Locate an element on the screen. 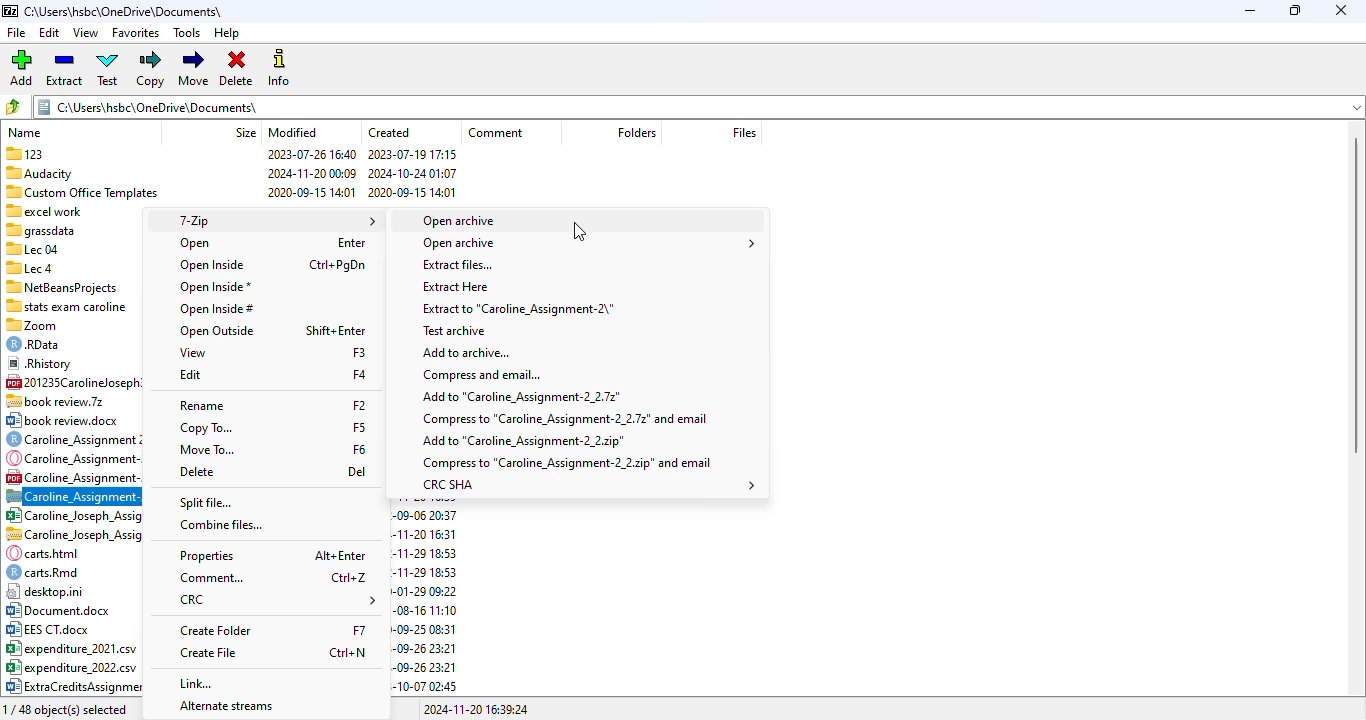 The width and height of the screenshot is (1366, 720). shortcut for open is located at coordinates (351, 242).